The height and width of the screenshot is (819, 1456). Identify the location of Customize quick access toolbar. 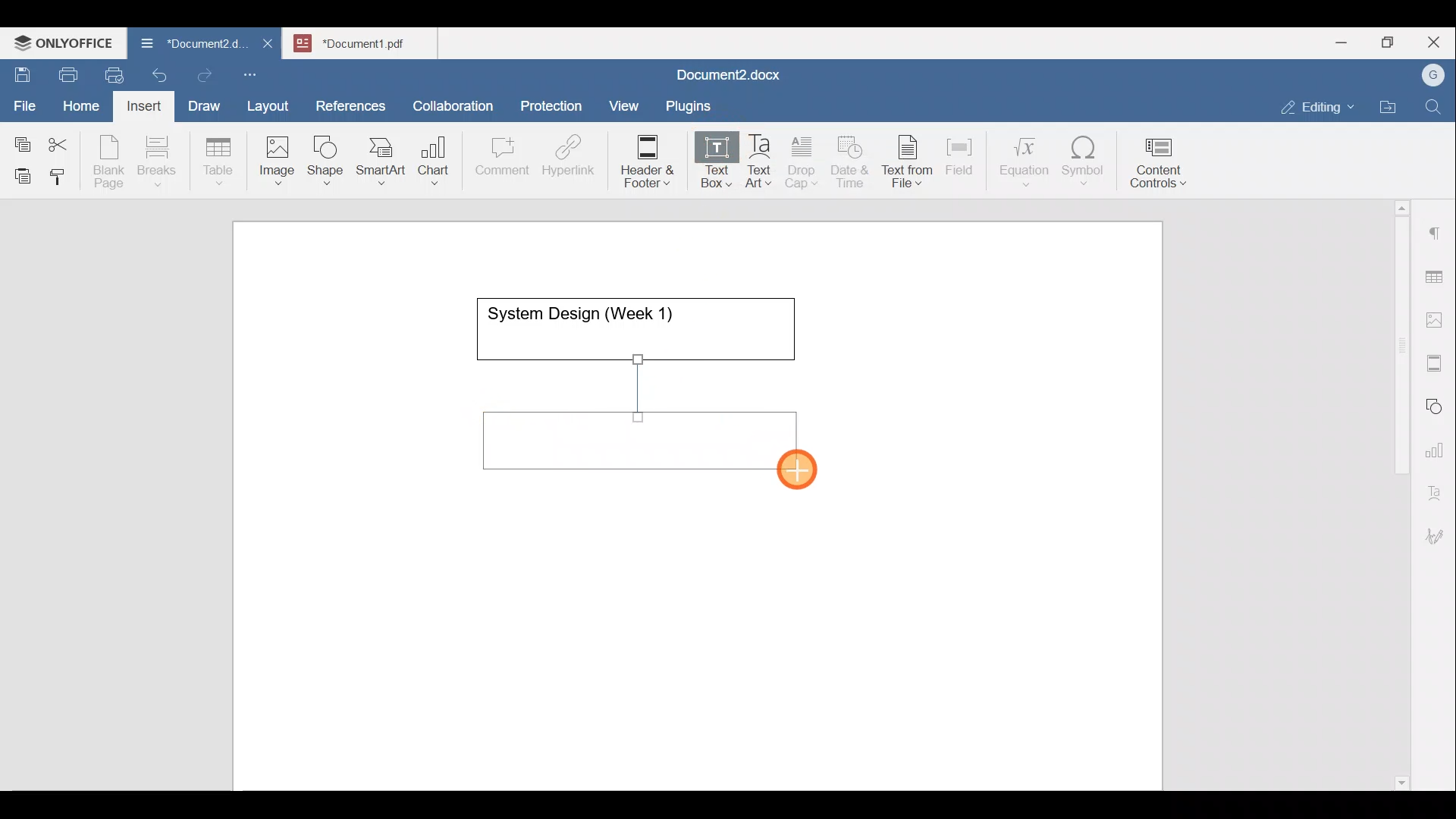
(256, 72).